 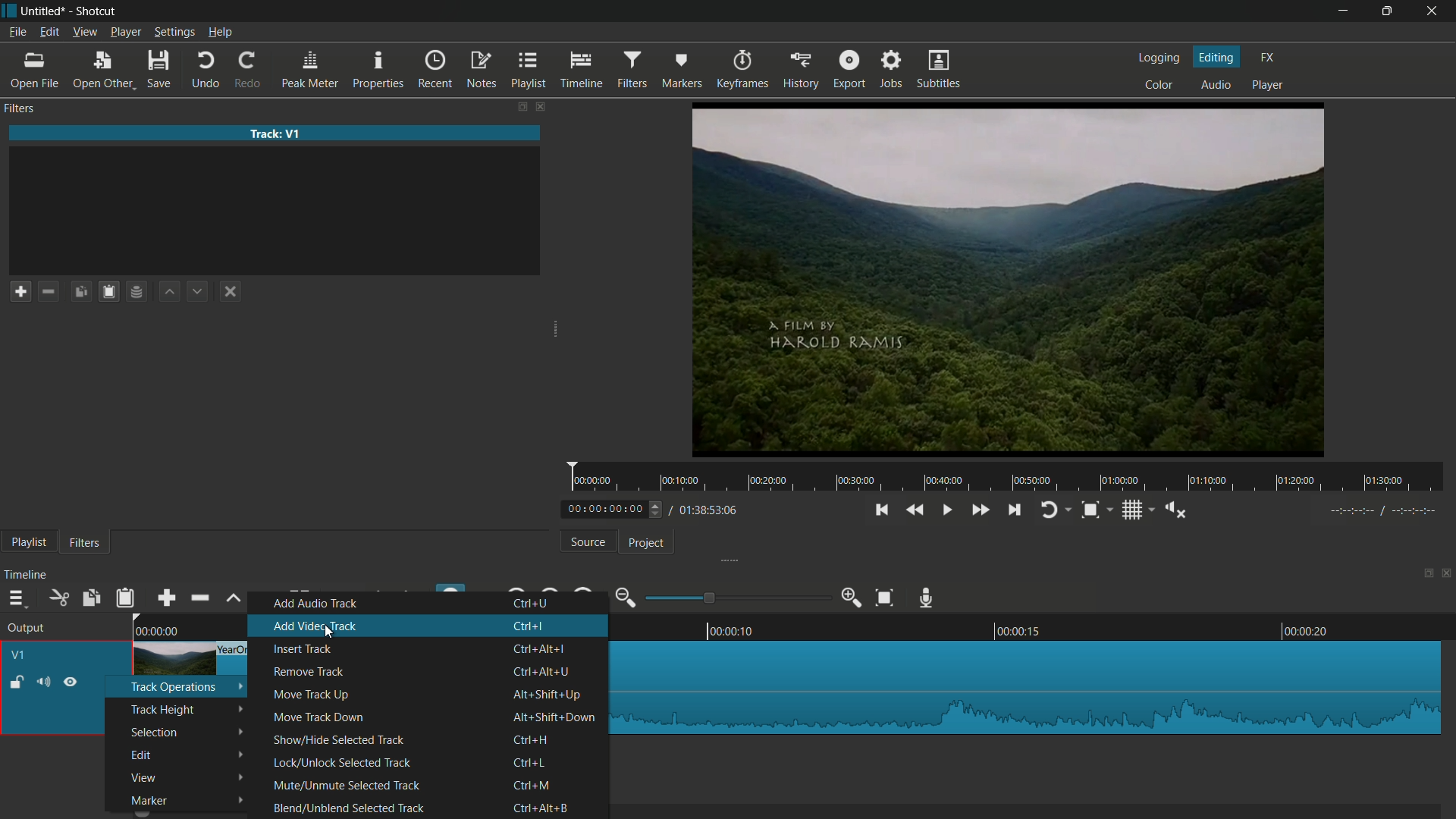 What do you see at coordinates (884, 508) in the screenshot?
I see `skip to the previous point` at bounding box center [884, 508].